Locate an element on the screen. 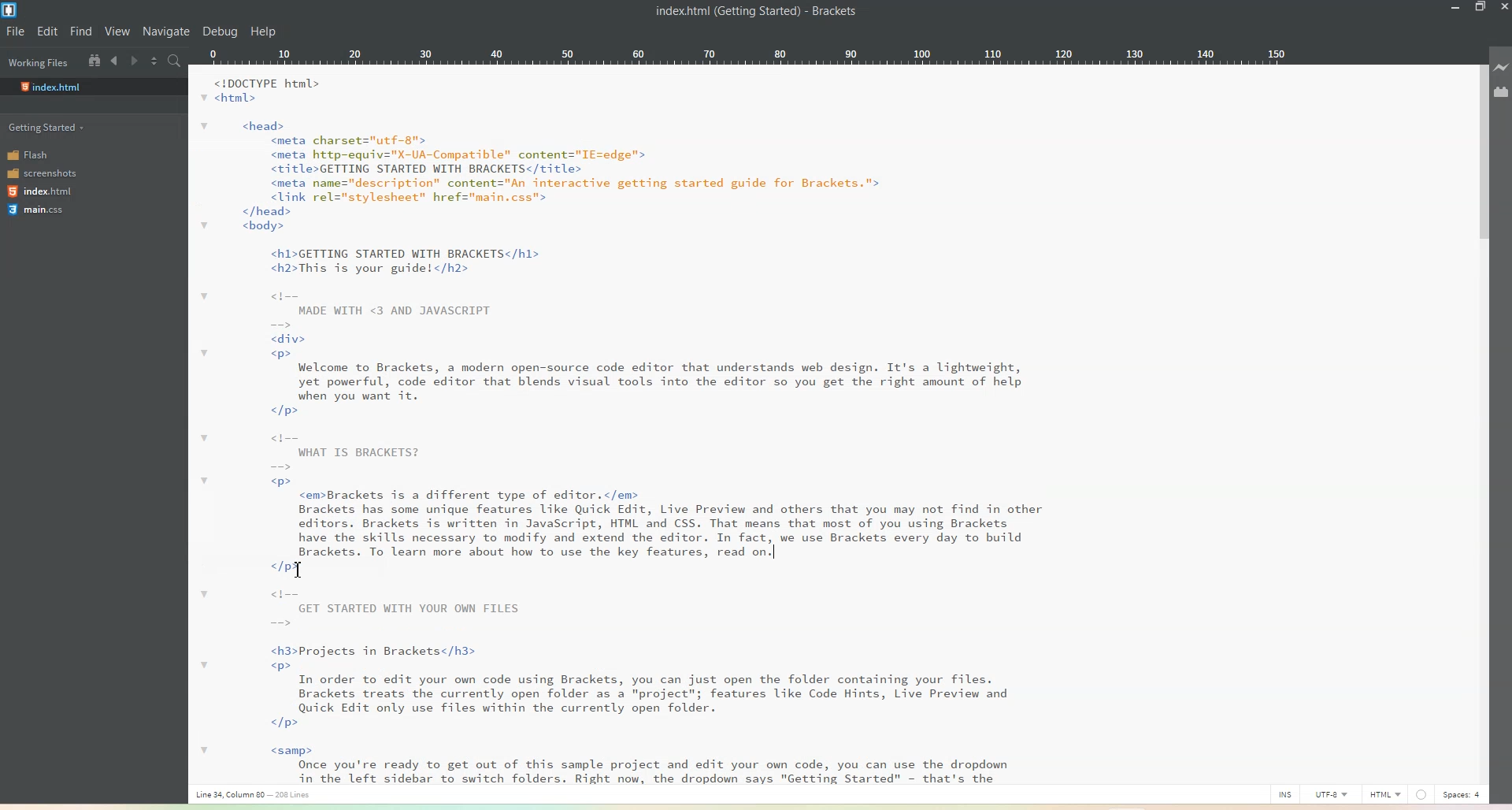  Flash is located at coordinates (31, 156).